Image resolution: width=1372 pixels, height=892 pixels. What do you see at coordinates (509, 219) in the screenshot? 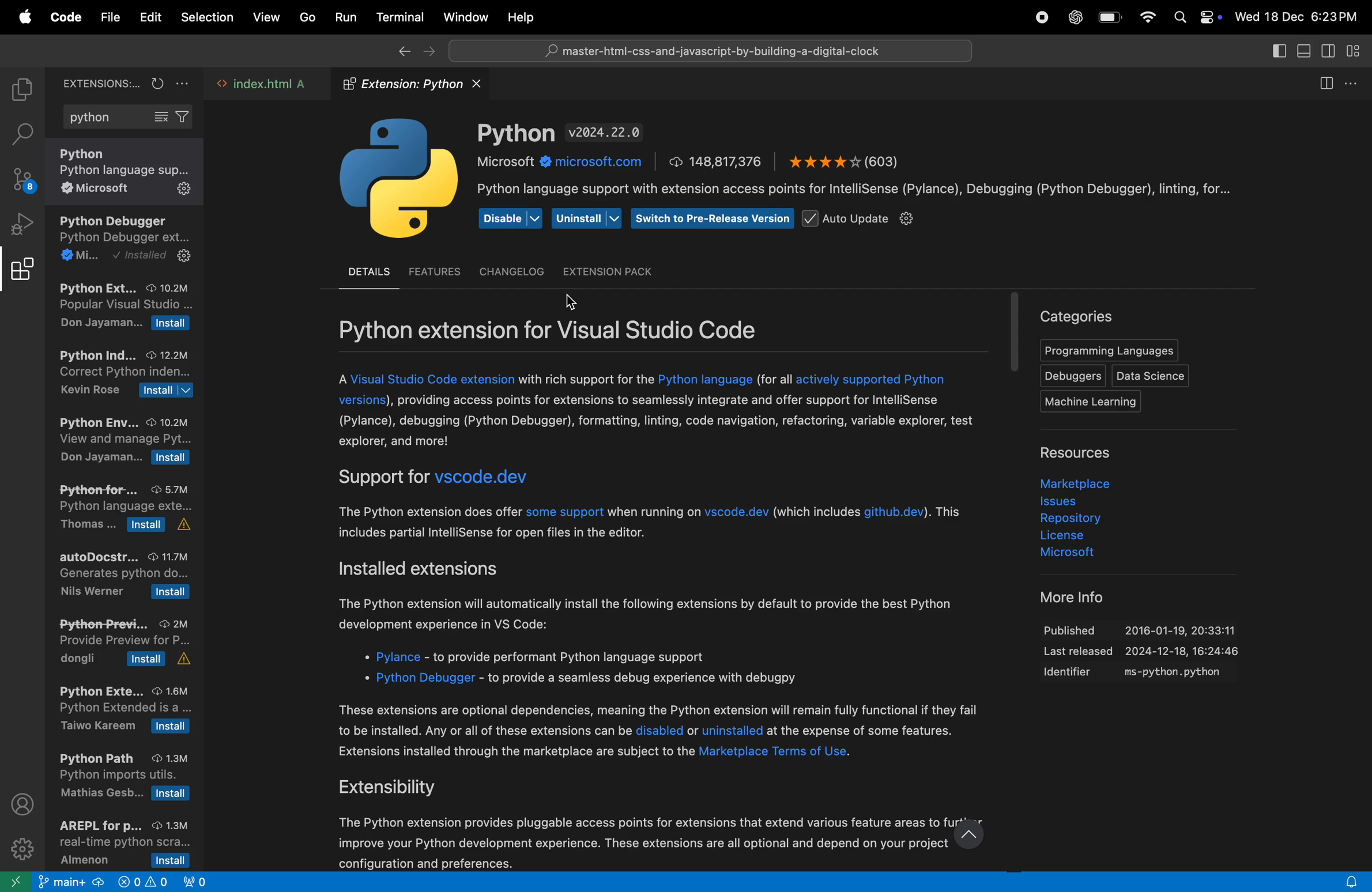
I see `disable` at bounding box center [509, 219].